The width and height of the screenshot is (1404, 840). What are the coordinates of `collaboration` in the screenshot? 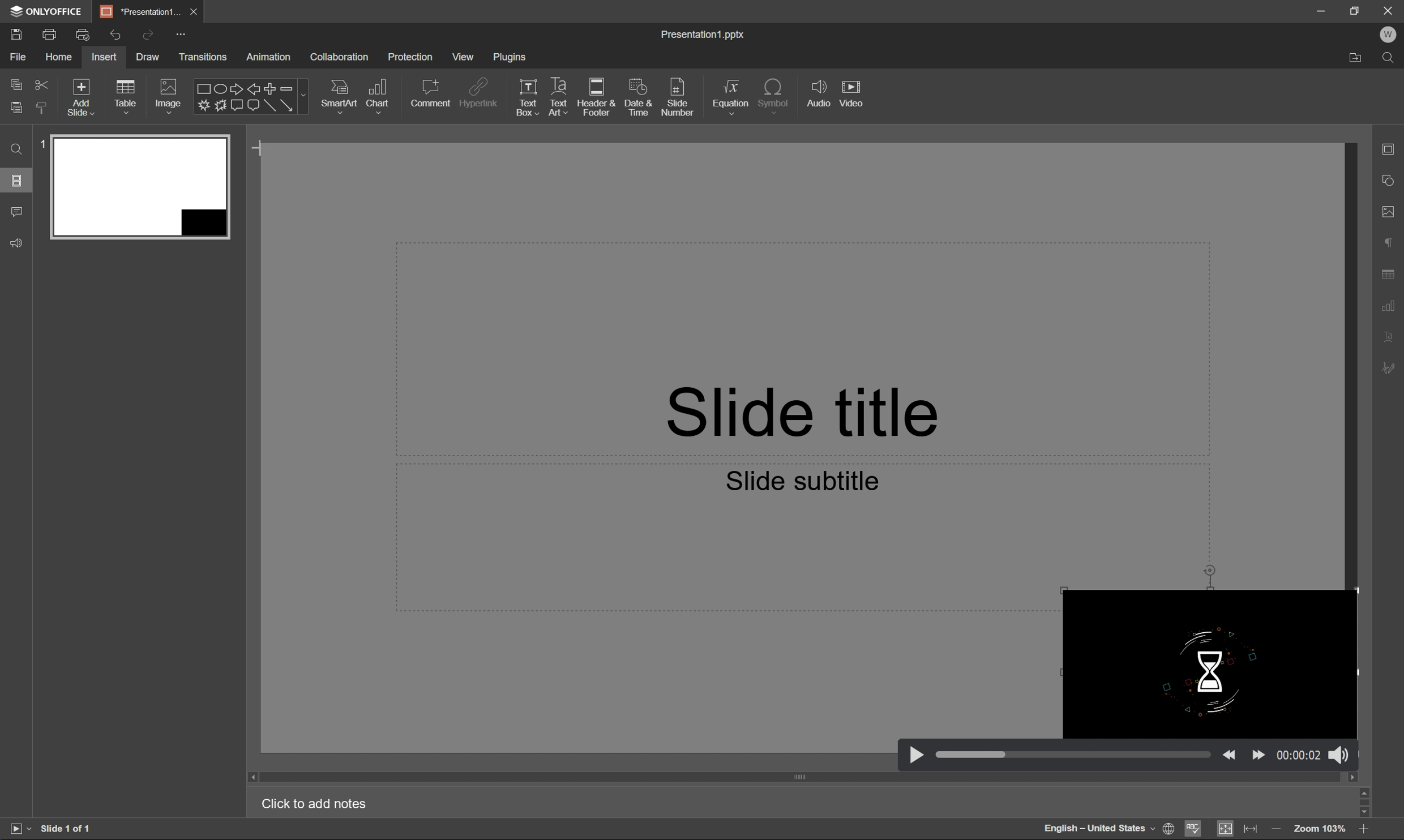 It's located at (341, 57).